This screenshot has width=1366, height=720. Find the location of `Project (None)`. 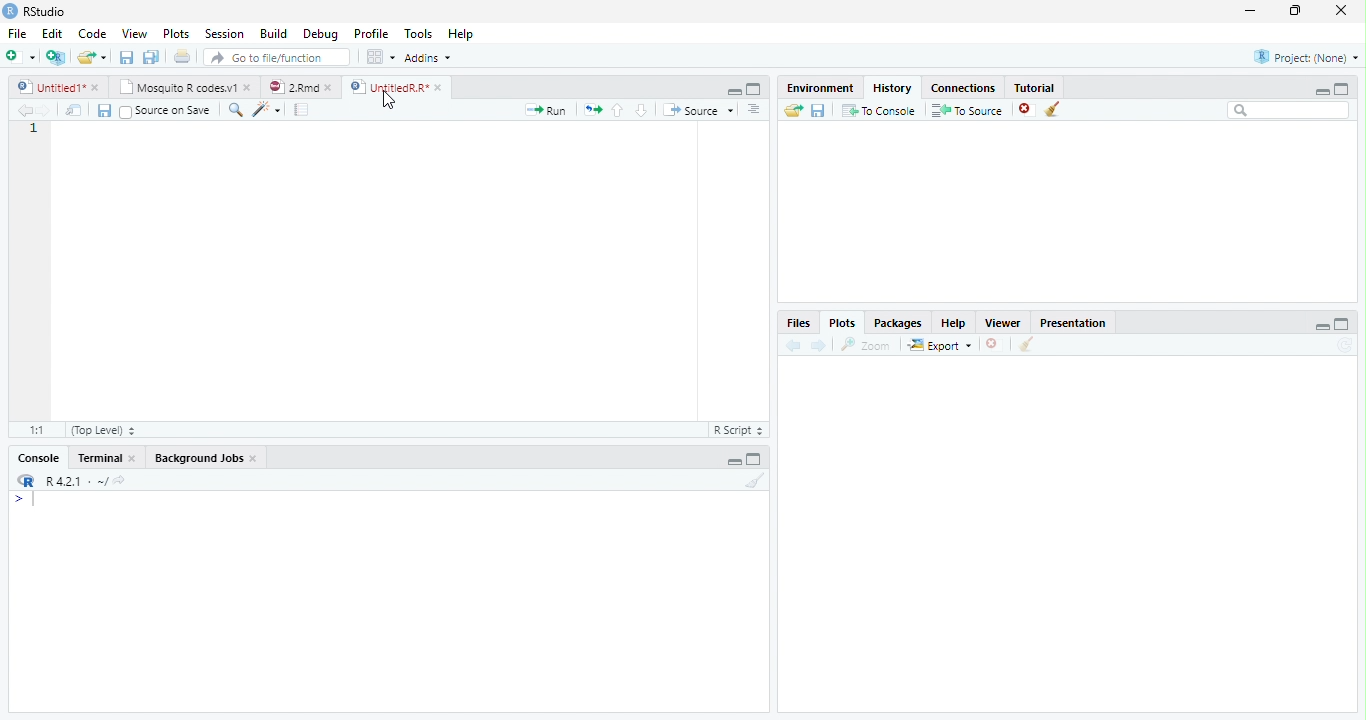

Project (None) is located at coordinates (1307, 57).